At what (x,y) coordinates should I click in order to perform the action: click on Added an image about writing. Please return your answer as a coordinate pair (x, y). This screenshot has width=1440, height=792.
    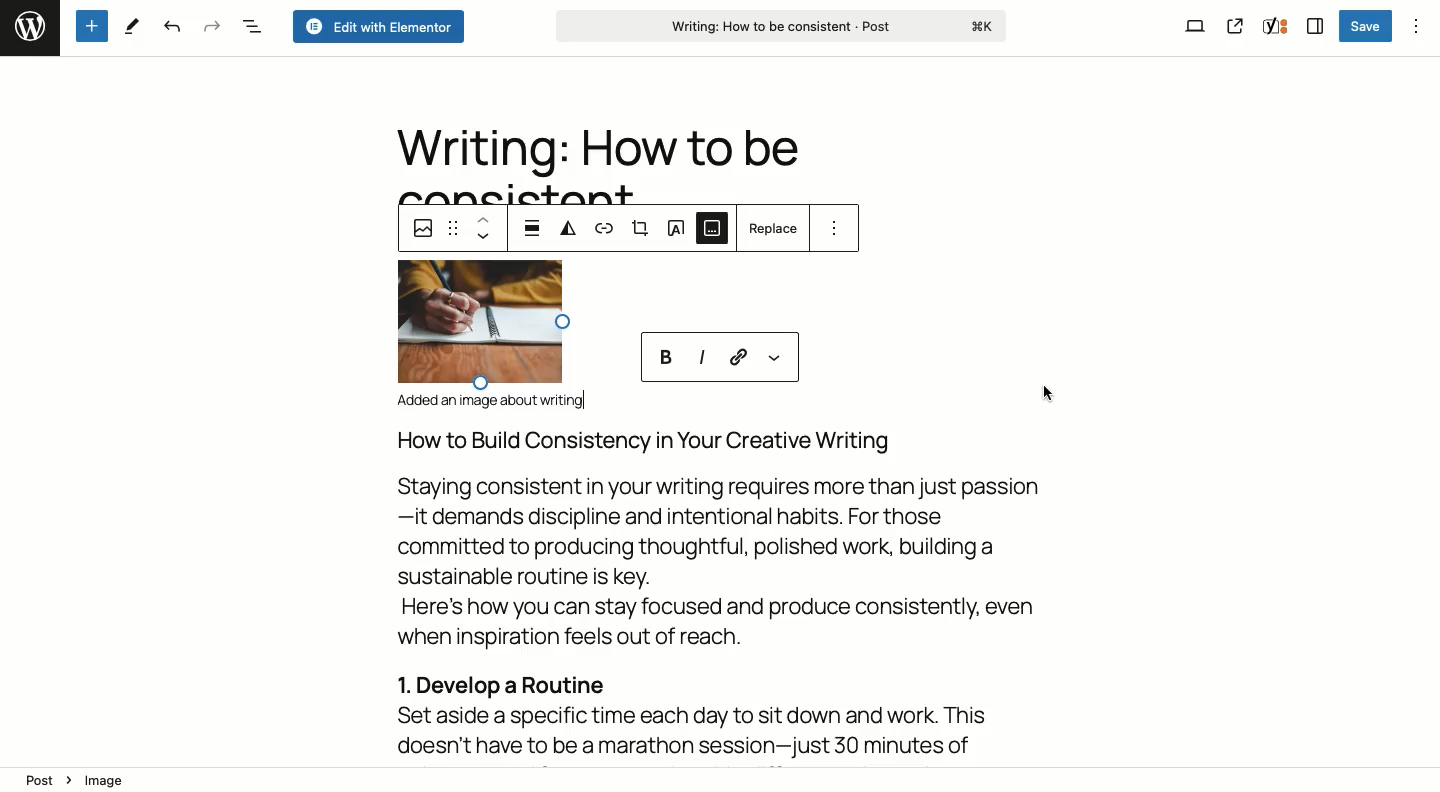
    Looking at the image, I should click on (498, 402).